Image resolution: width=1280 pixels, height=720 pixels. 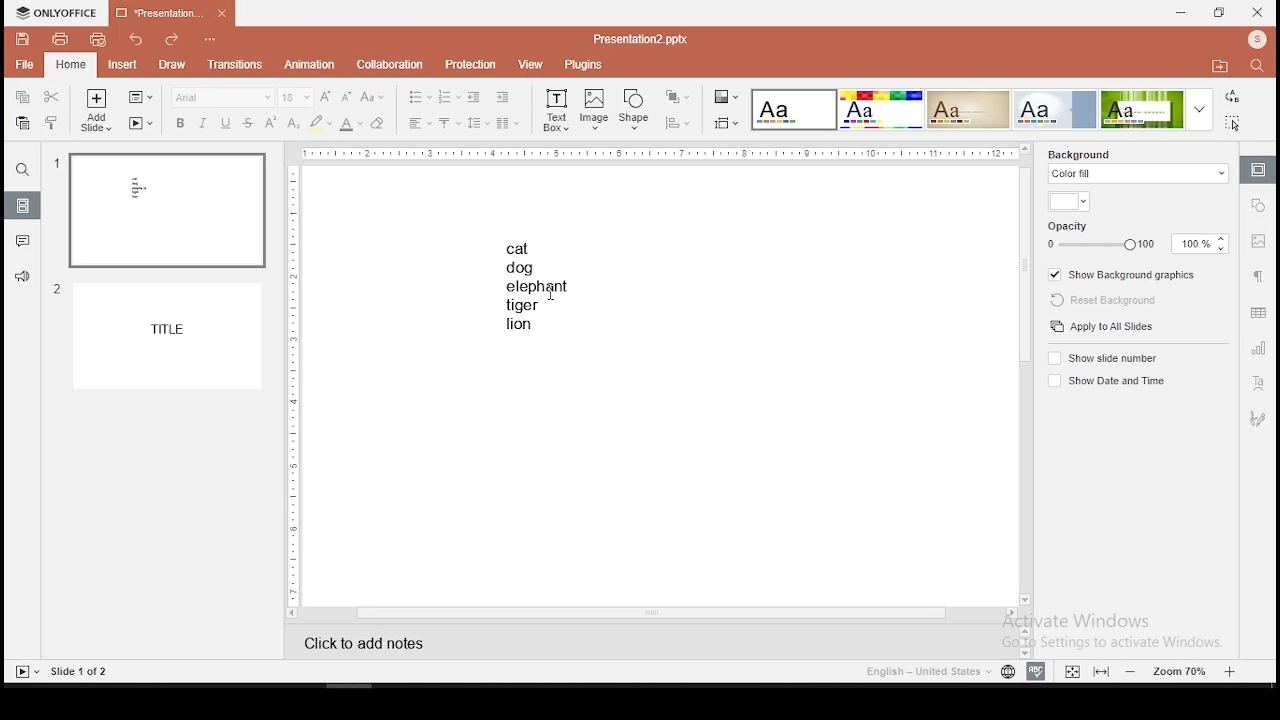 I want to click on subscript, so click(x=292, y=124).